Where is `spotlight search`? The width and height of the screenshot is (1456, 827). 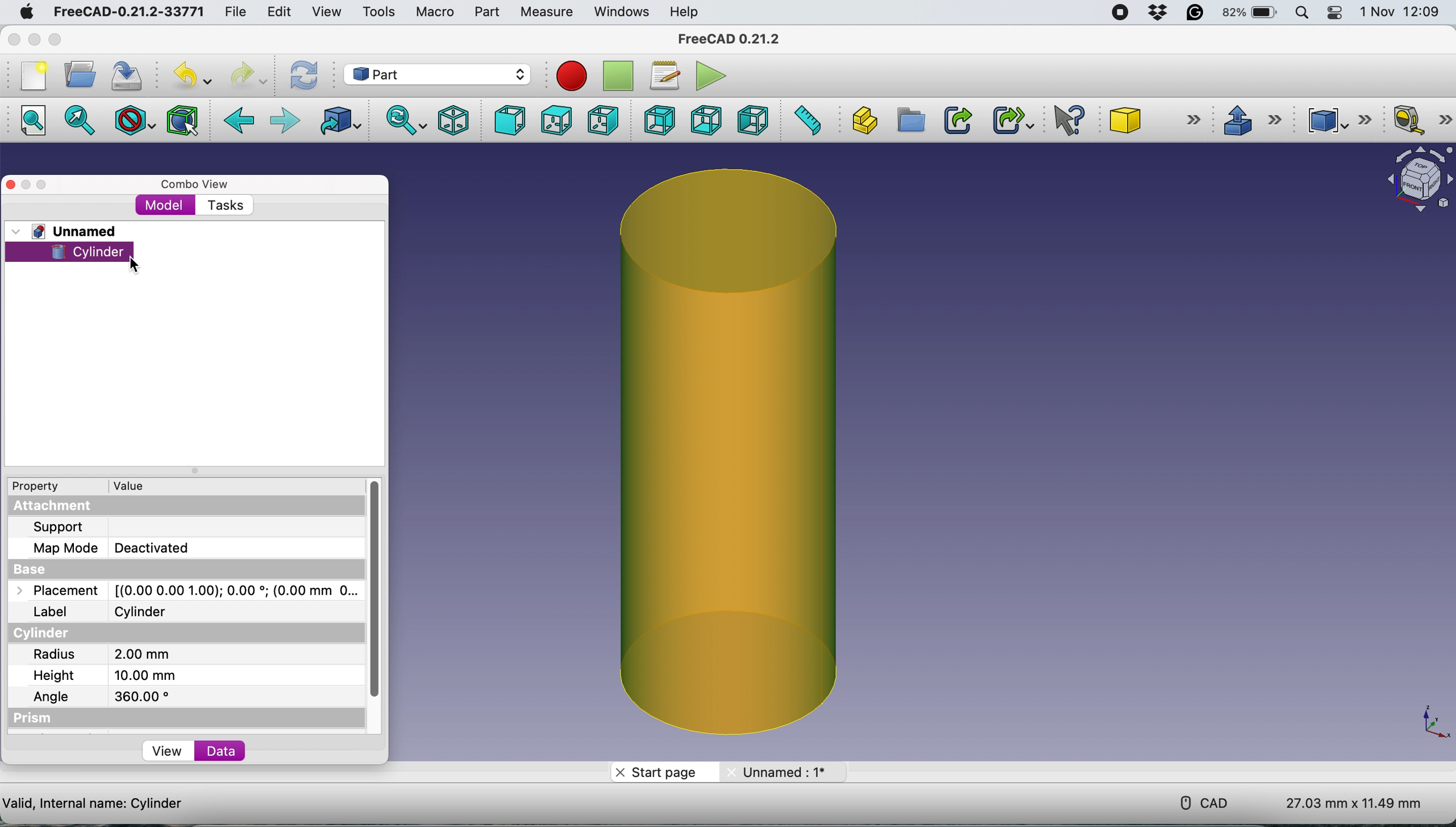 spotlight search is located at coordinates (1304, 13).